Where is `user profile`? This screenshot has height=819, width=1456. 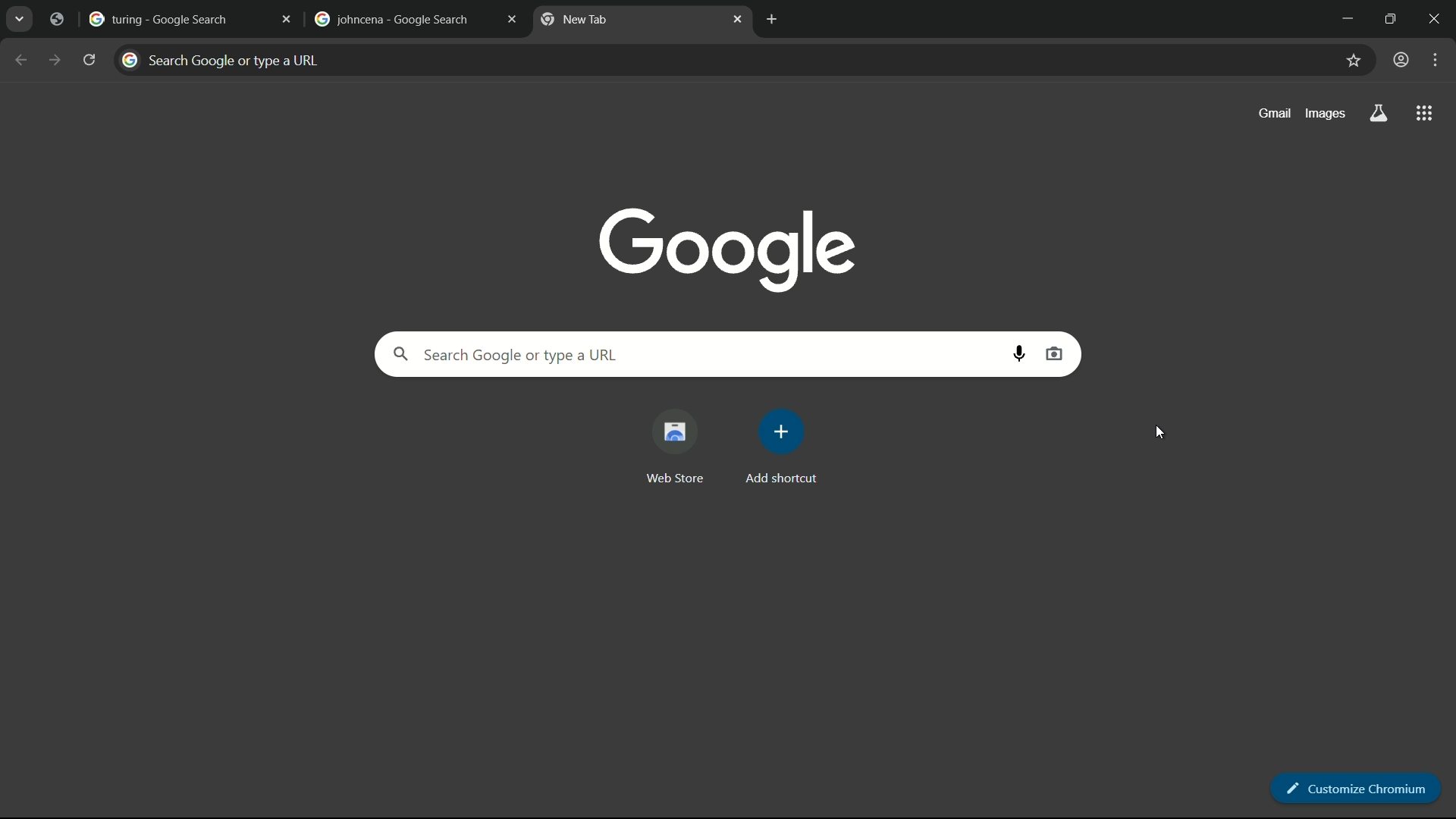 user profile is located at coordinates (1397, 59).